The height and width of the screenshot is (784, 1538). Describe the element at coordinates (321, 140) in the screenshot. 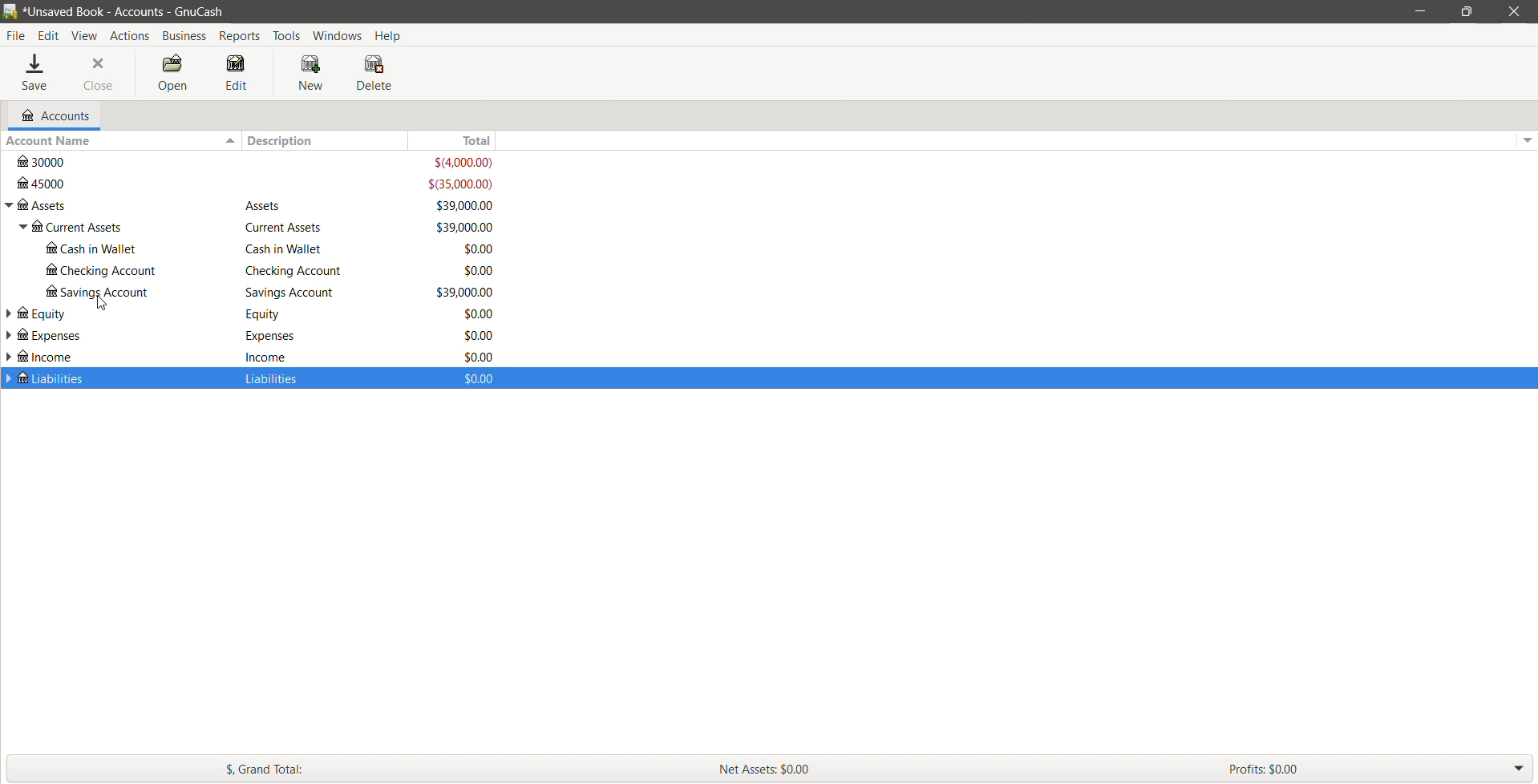

I see `Description` at that location.